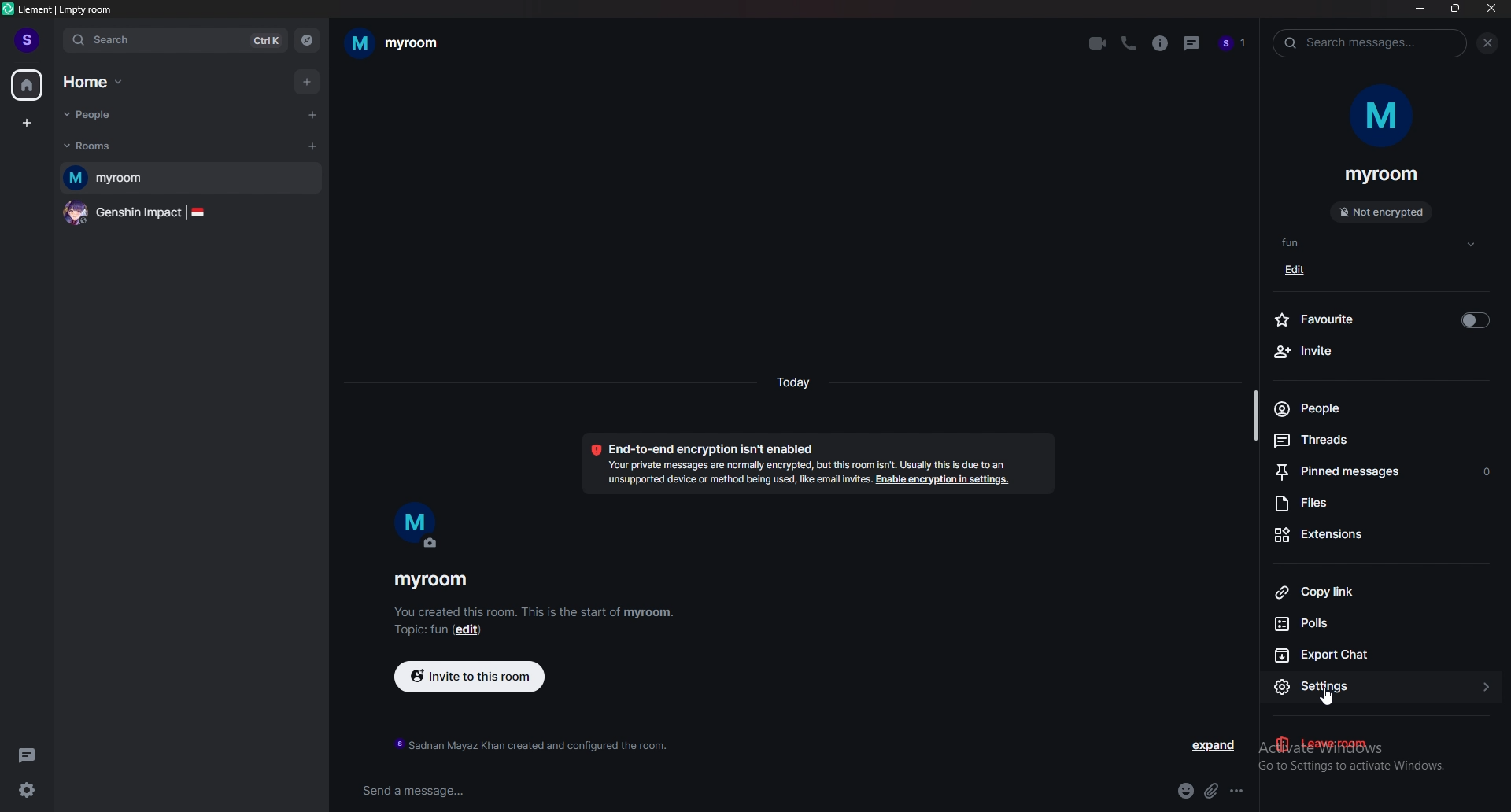  Describe the element at coordinates (1377, 592) in the screenshot. I see `copy link` at that location.